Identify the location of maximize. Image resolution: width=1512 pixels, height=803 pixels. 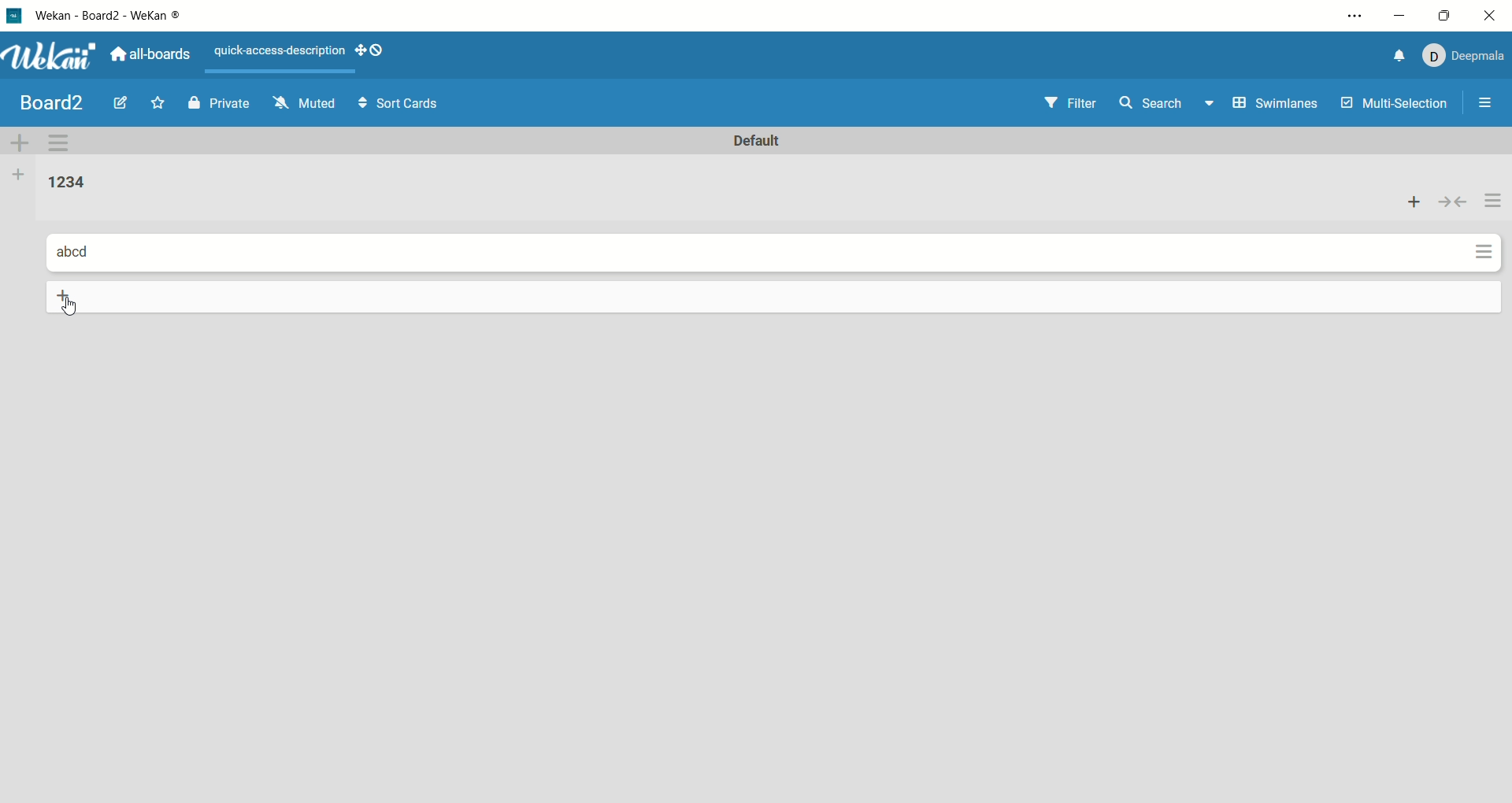
(1447, 12).